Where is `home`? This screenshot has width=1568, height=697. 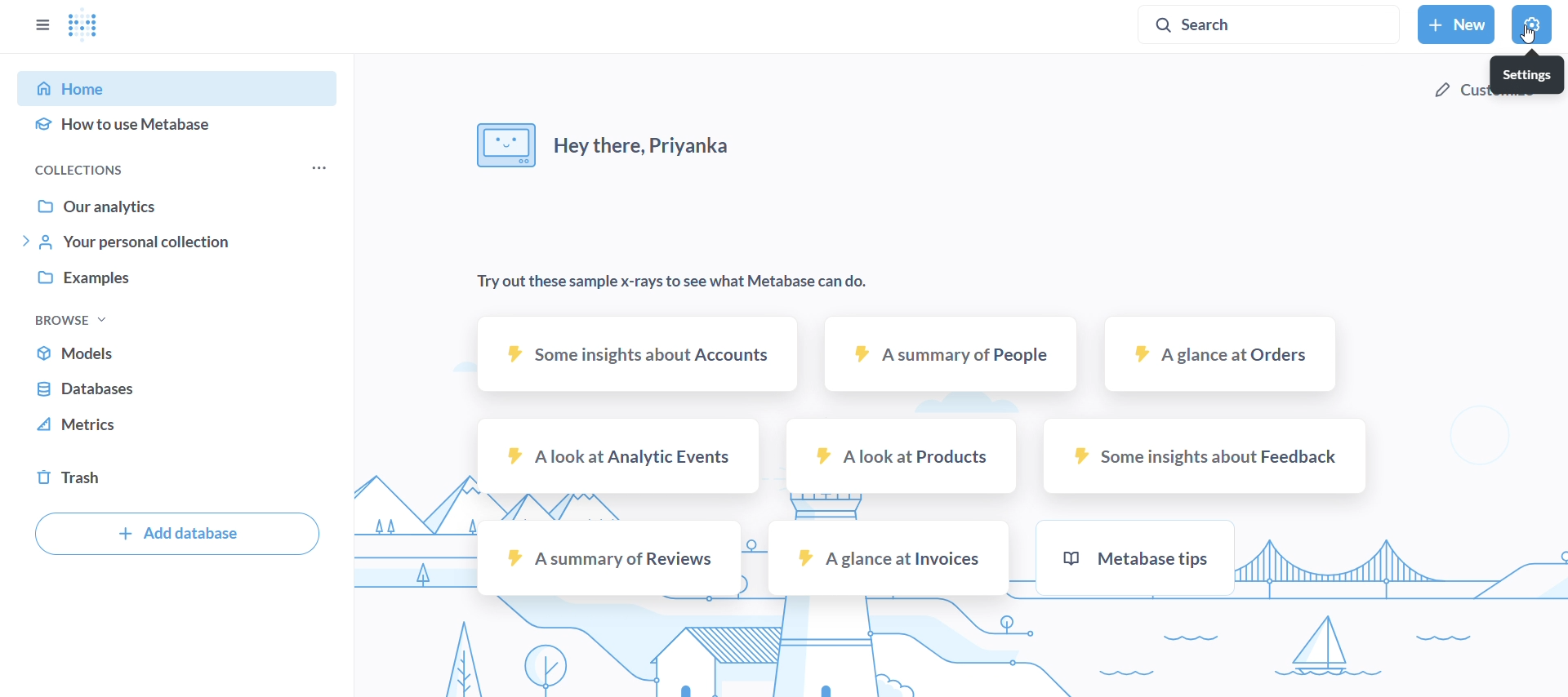 home is located at coordinates (185, 87).